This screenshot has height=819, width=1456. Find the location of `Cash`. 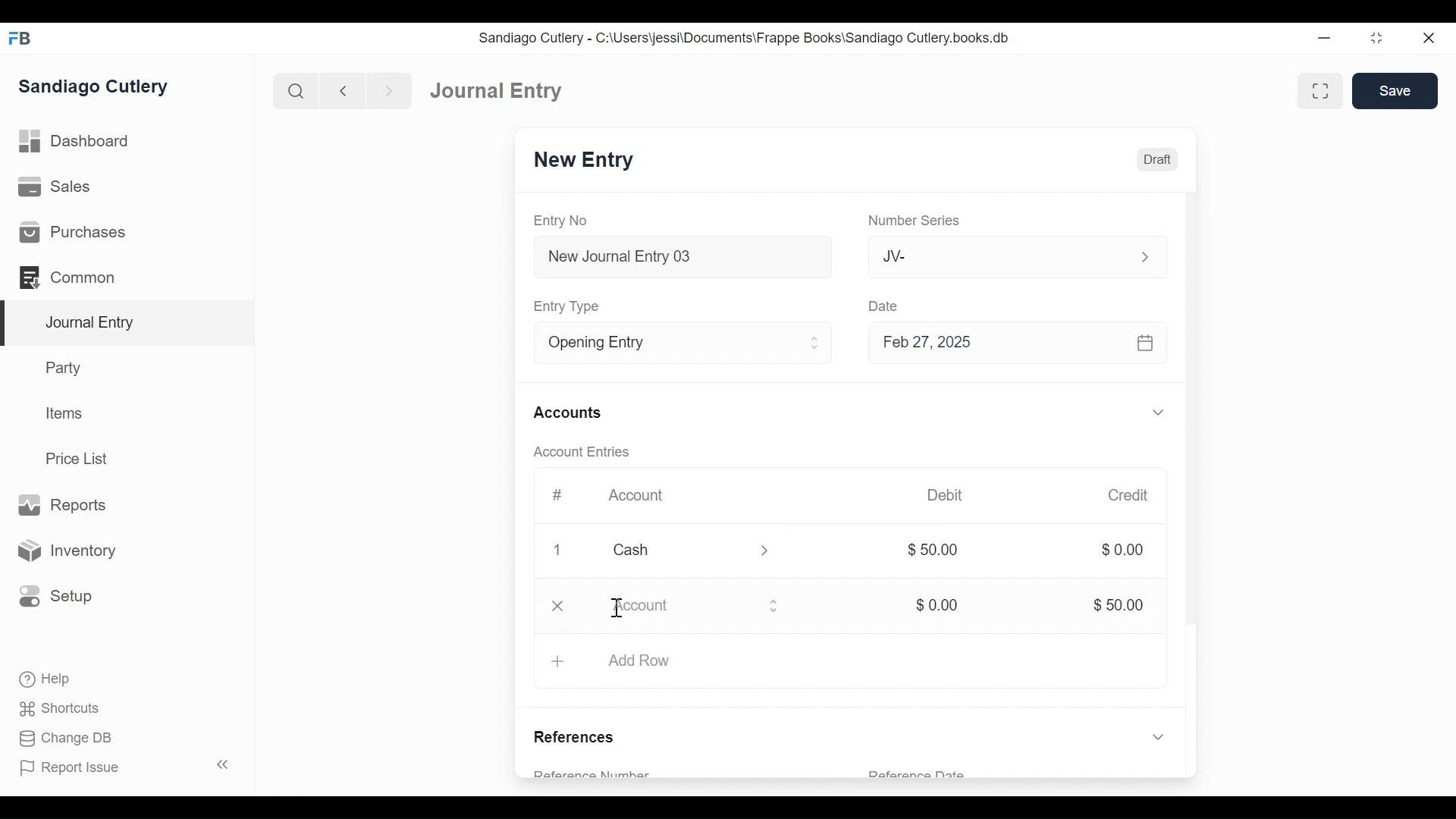

Cash is located at coordinates (673, 550).